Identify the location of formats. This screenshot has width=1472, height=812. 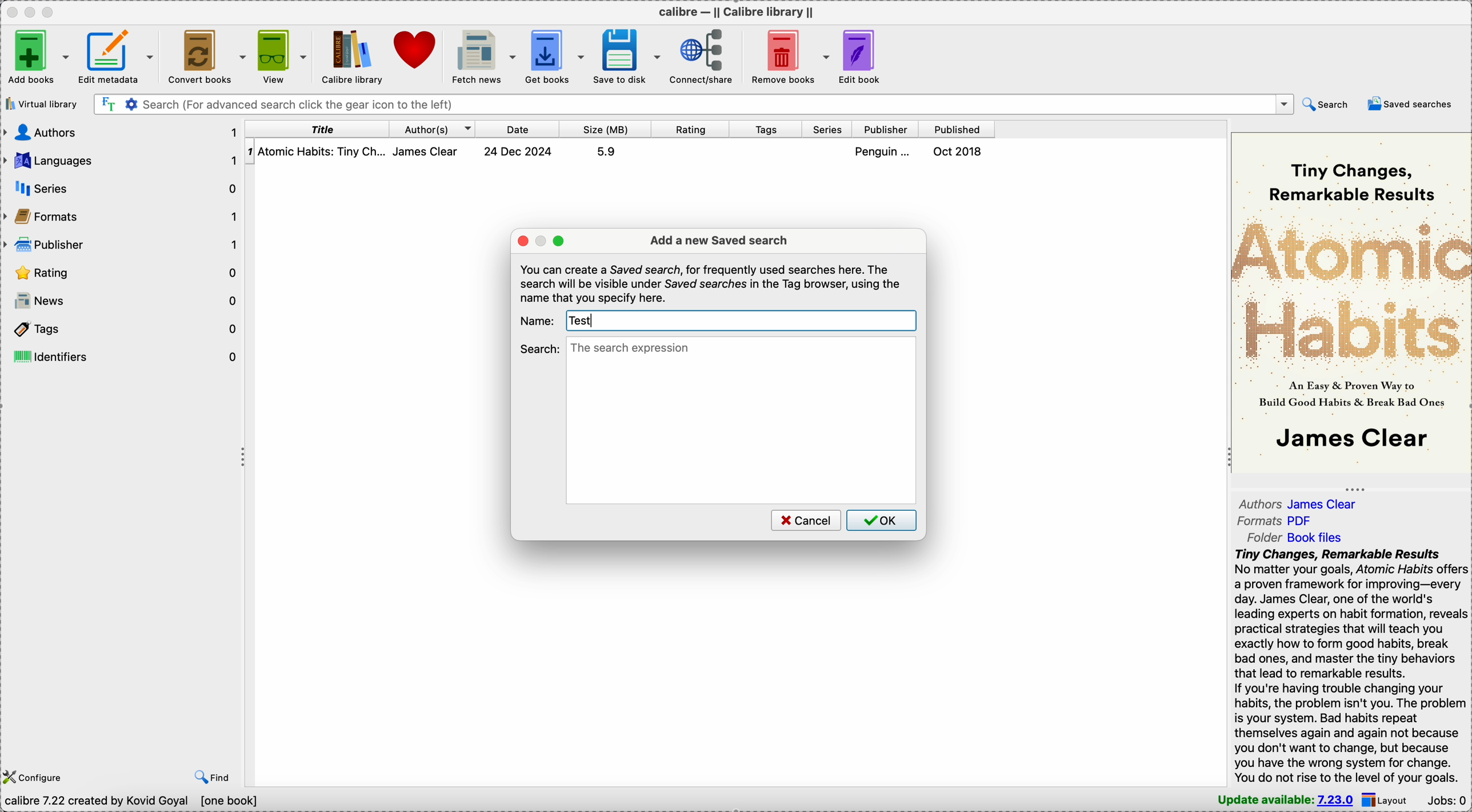
(123, 218).